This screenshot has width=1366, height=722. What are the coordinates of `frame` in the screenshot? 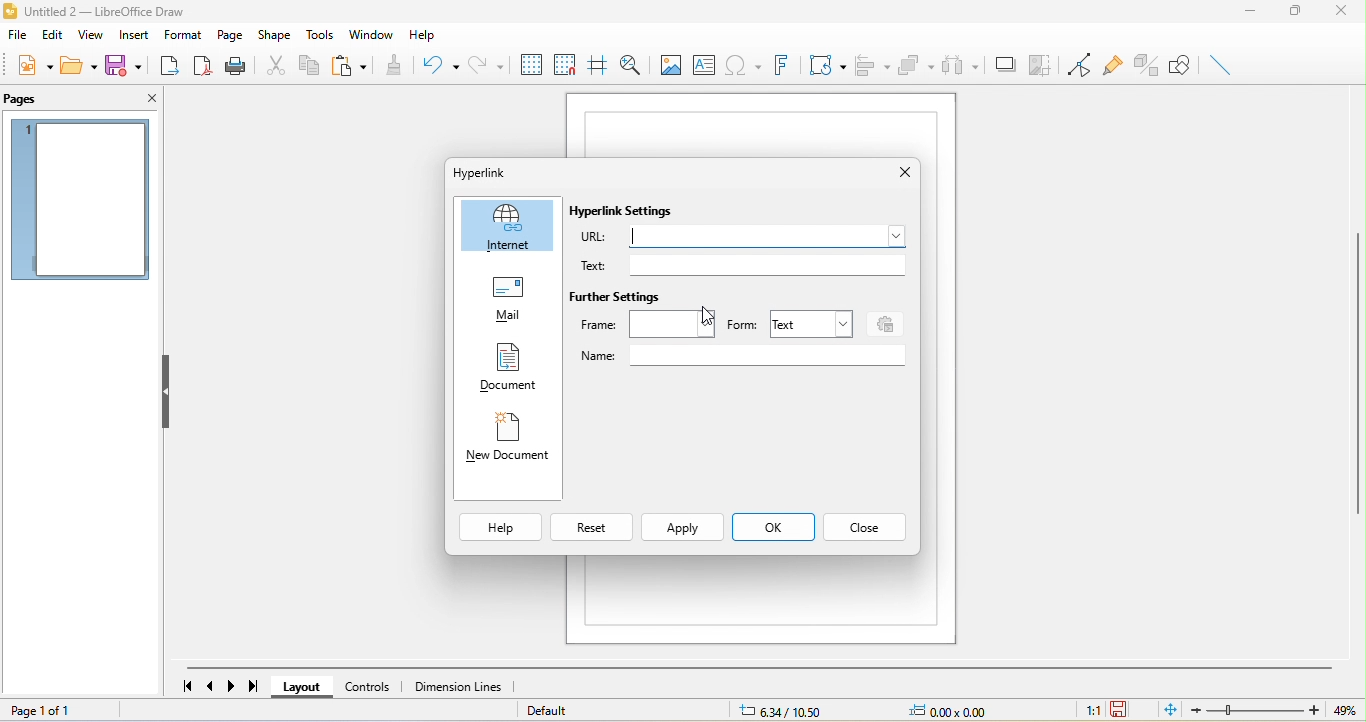 It's located at (647, 325).